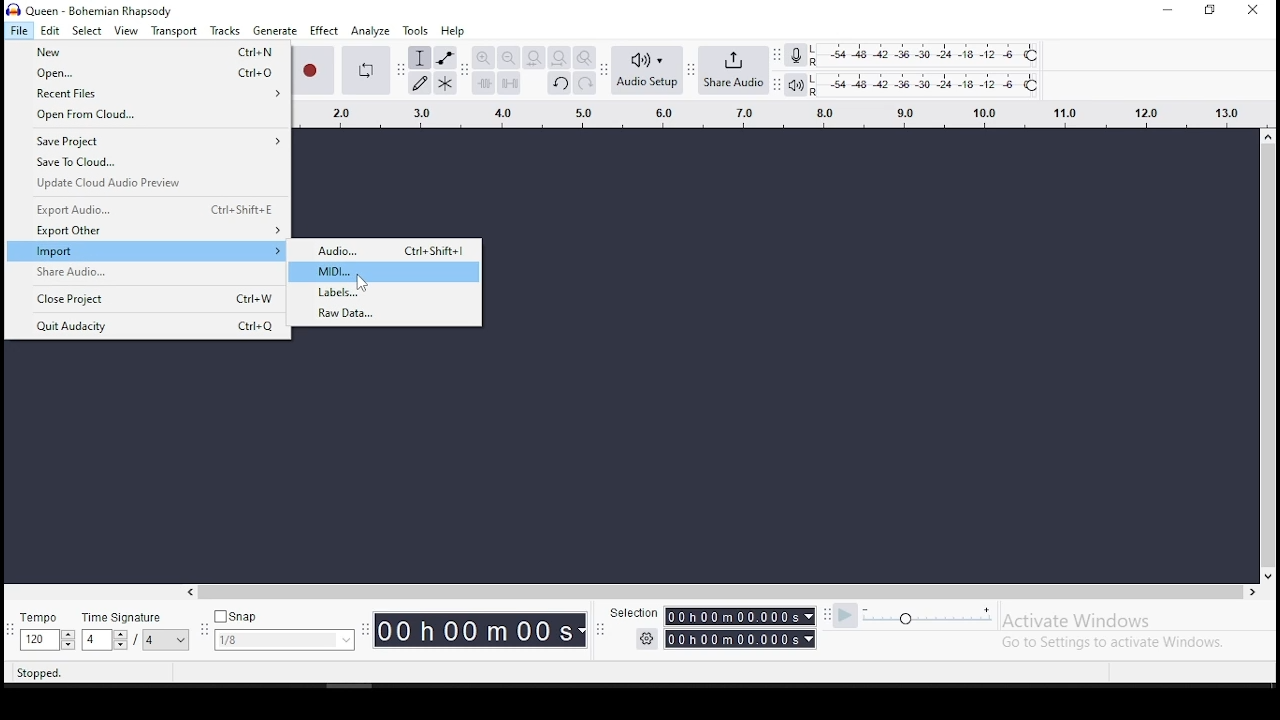 The width and height of the screenshot is (1280, 720). What do you see at coordinates (148, 209) in the screenshot?
I see `export audio` at bounding box center [148, 209].